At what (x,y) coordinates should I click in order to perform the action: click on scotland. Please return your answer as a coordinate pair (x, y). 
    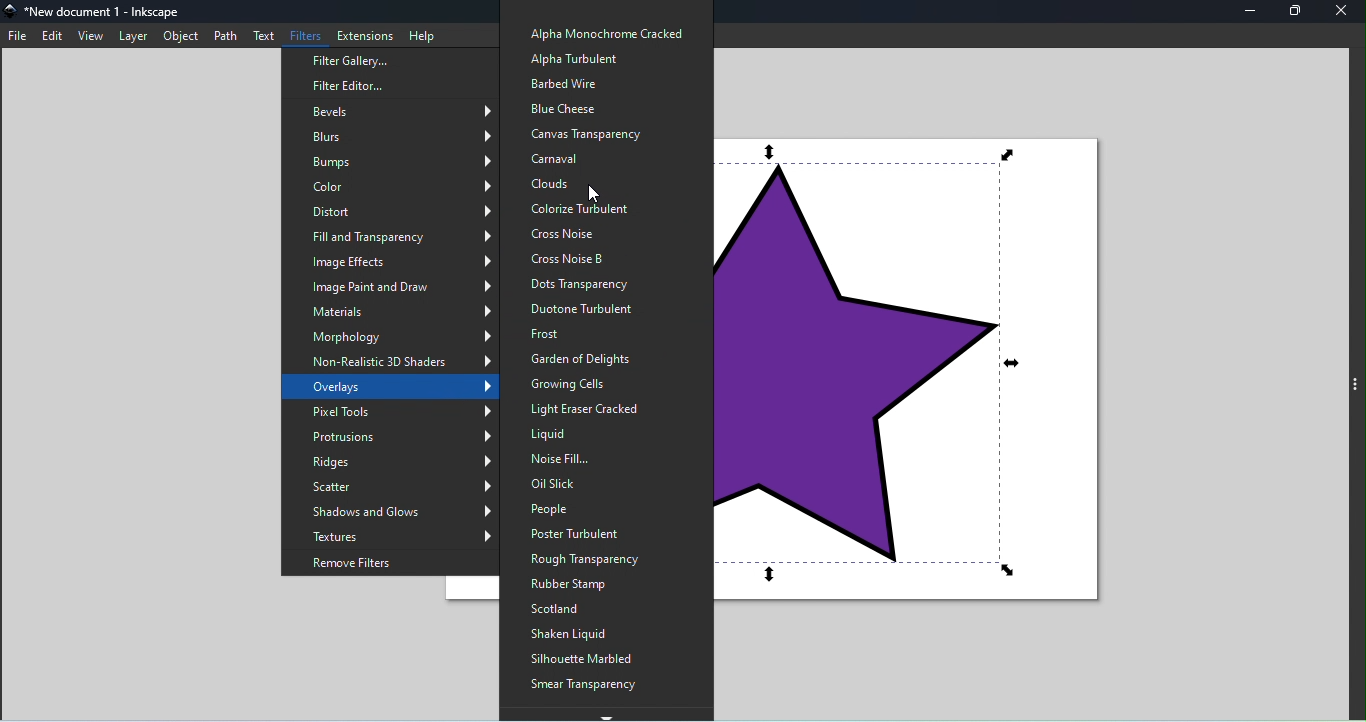
    Looking at the image, I should click on (589, 610).